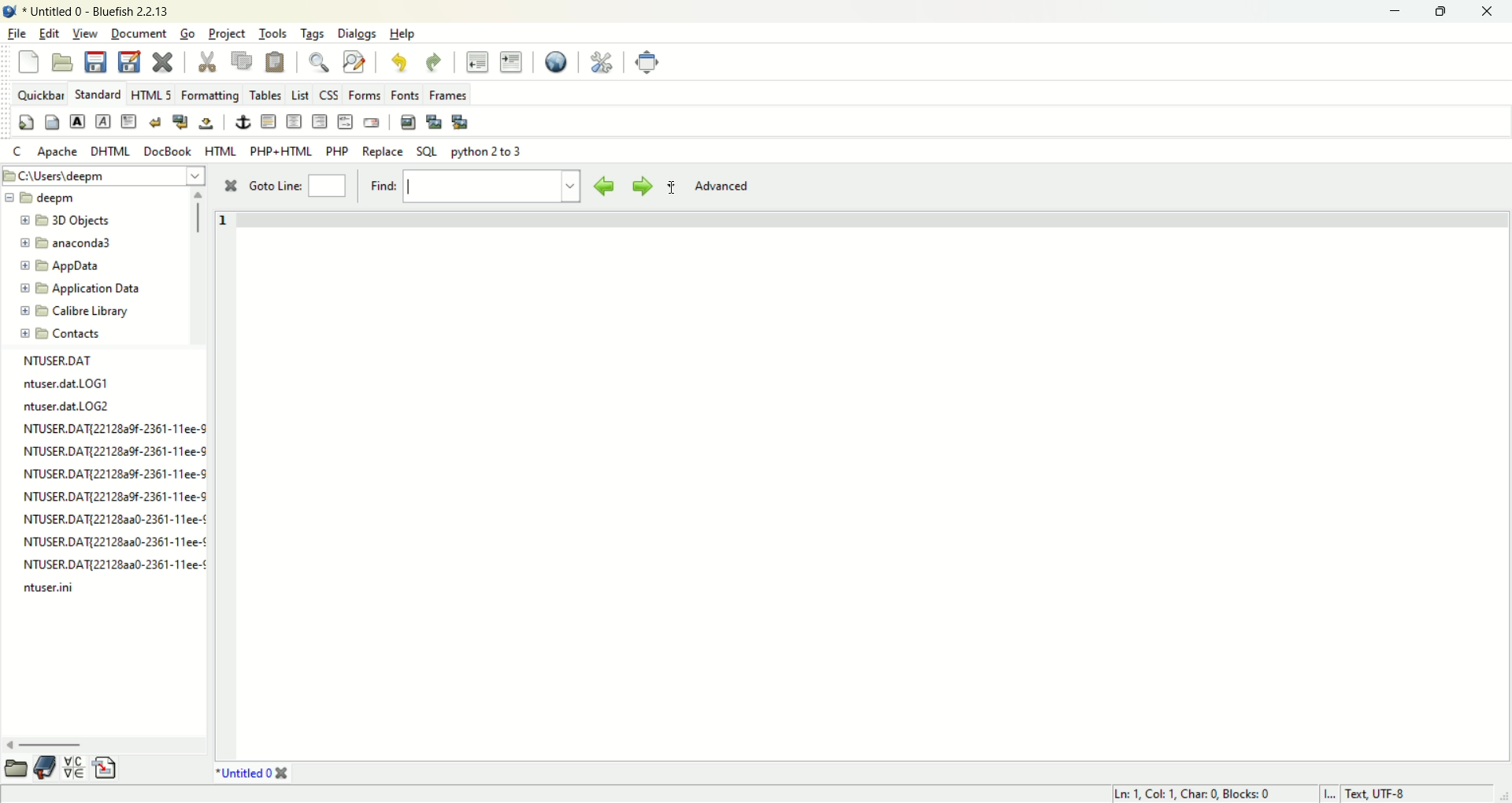 The image size is (1512, 803). Describe the element at coordinates (384, 152) in the screenshot. I see `REPLACE` at that location.